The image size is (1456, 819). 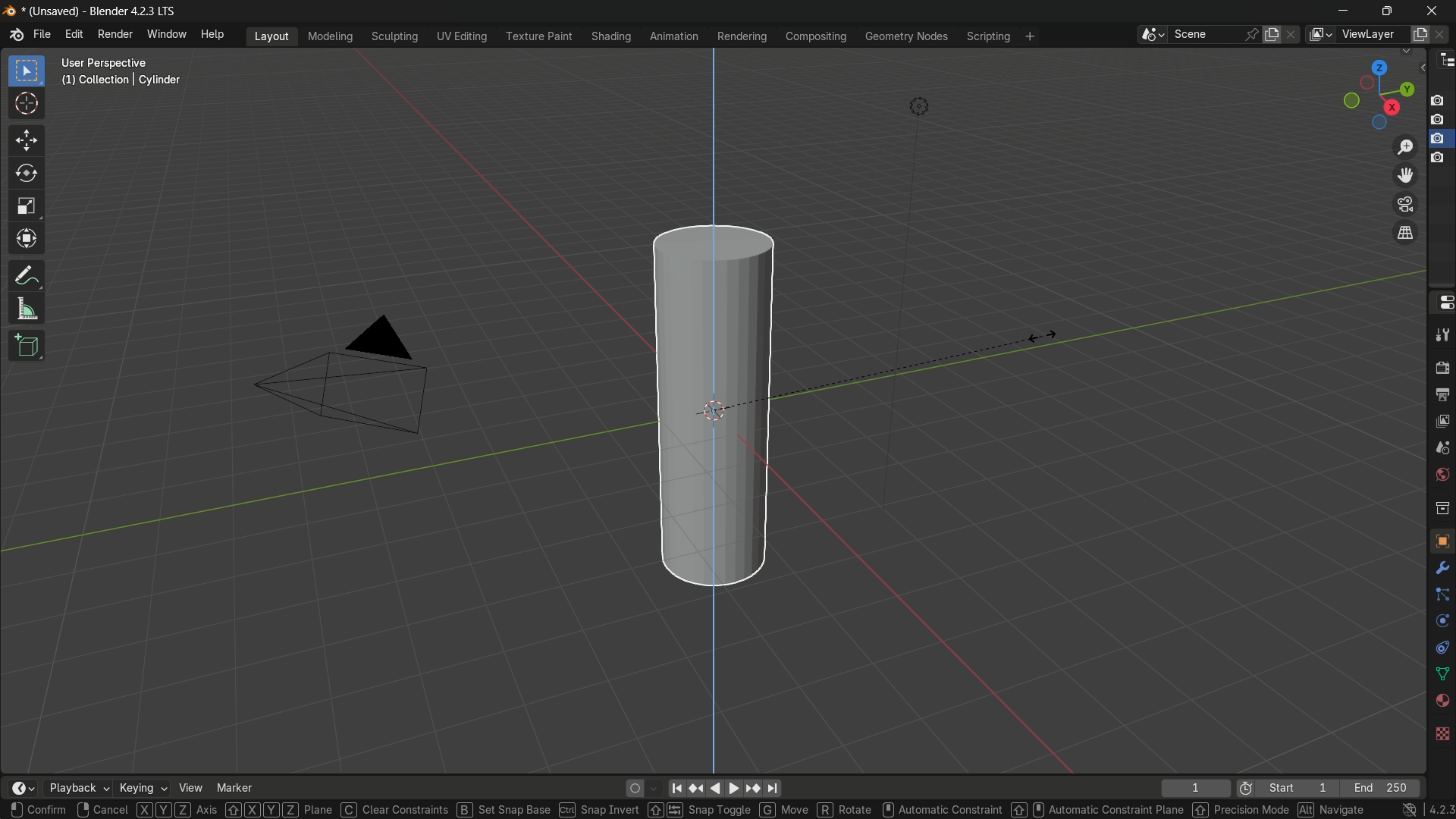 I want to click on switch current view, so click(x=1405, y=232).